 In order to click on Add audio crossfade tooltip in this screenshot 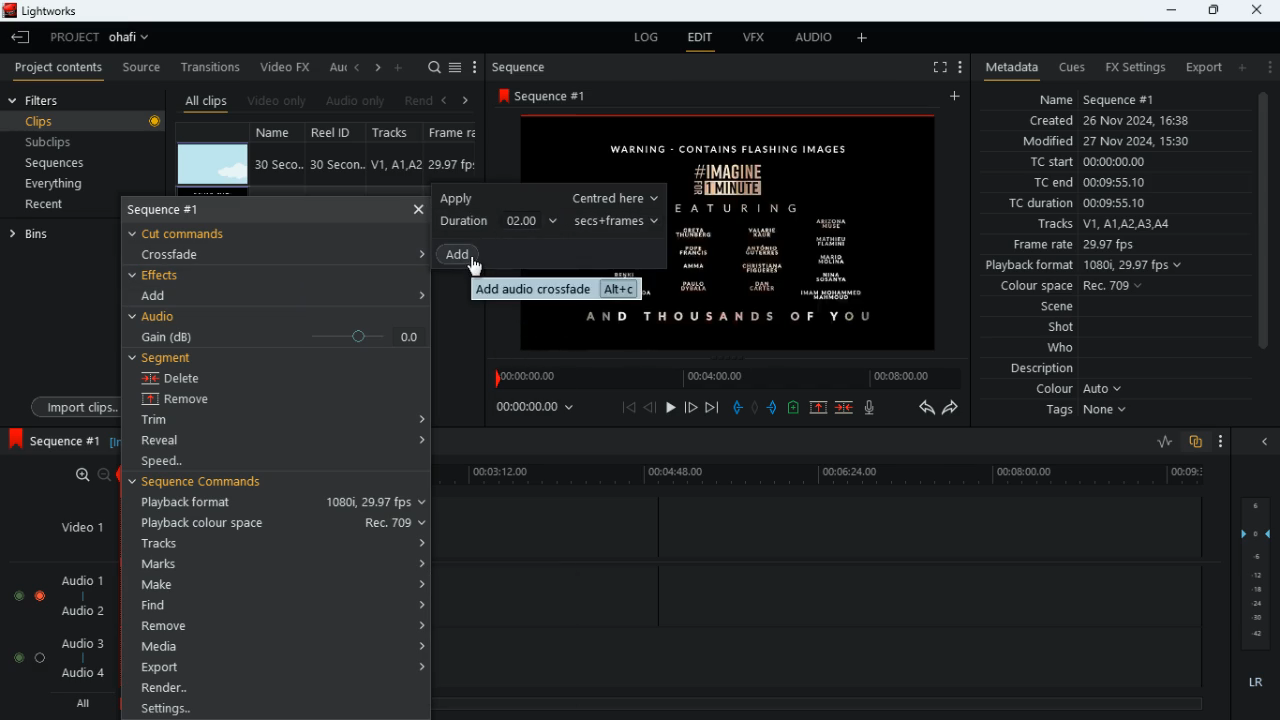, I will do `click(556, 289)`.